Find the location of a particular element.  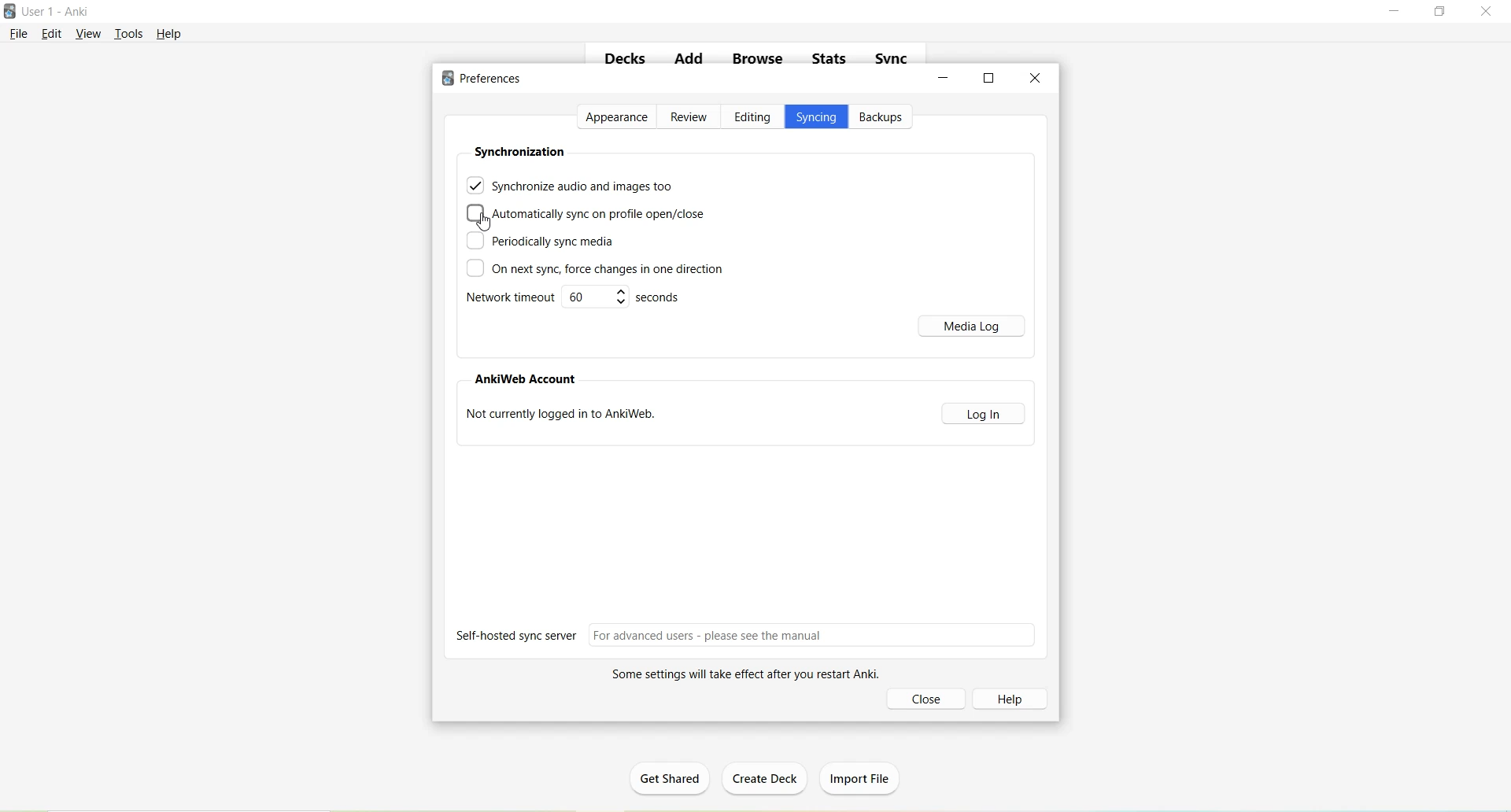

Minimize is located at coordinates (1396, 12).